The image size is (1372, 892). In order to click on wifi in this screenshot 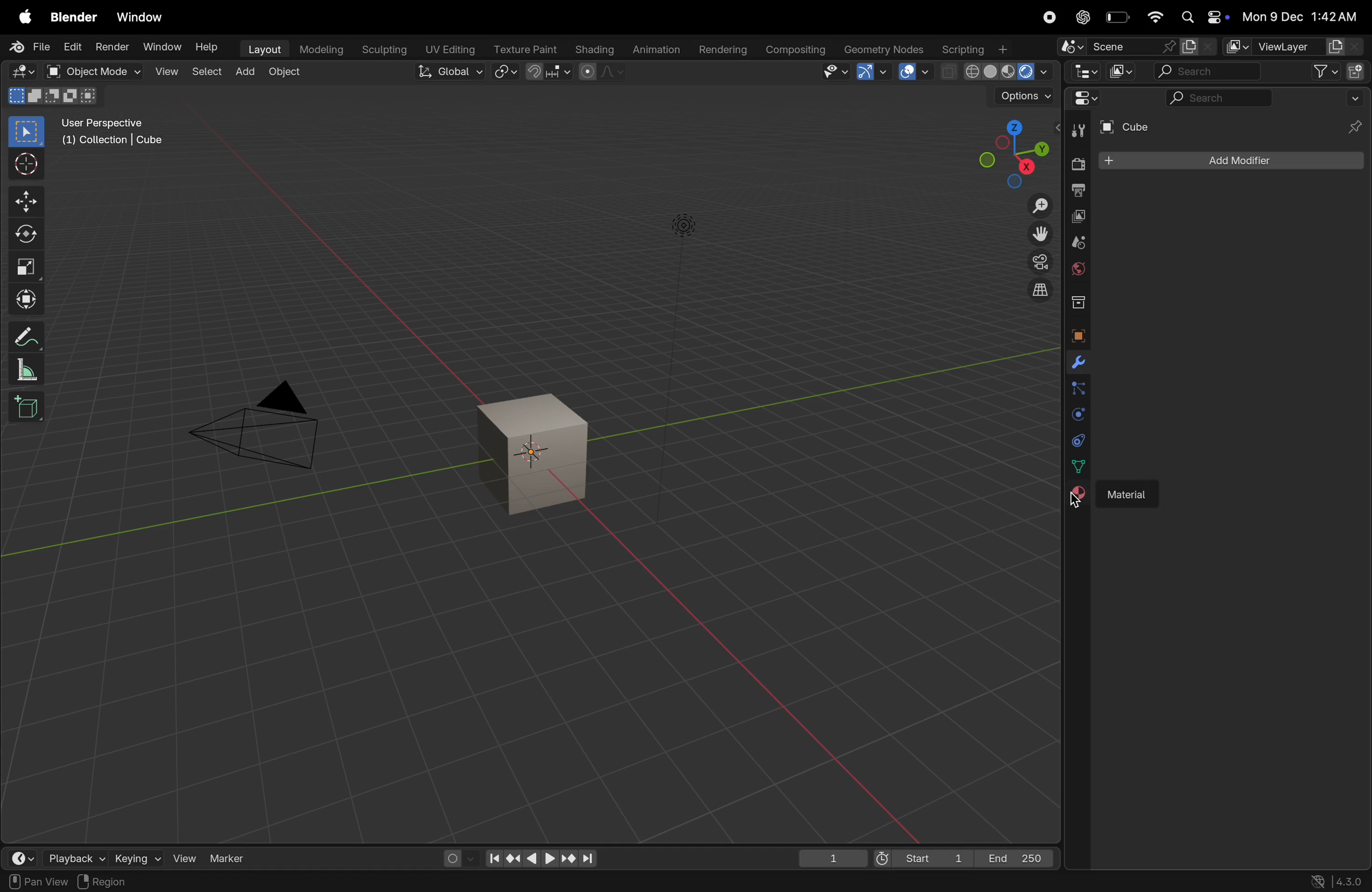, I will do `click(1154, 17)`.